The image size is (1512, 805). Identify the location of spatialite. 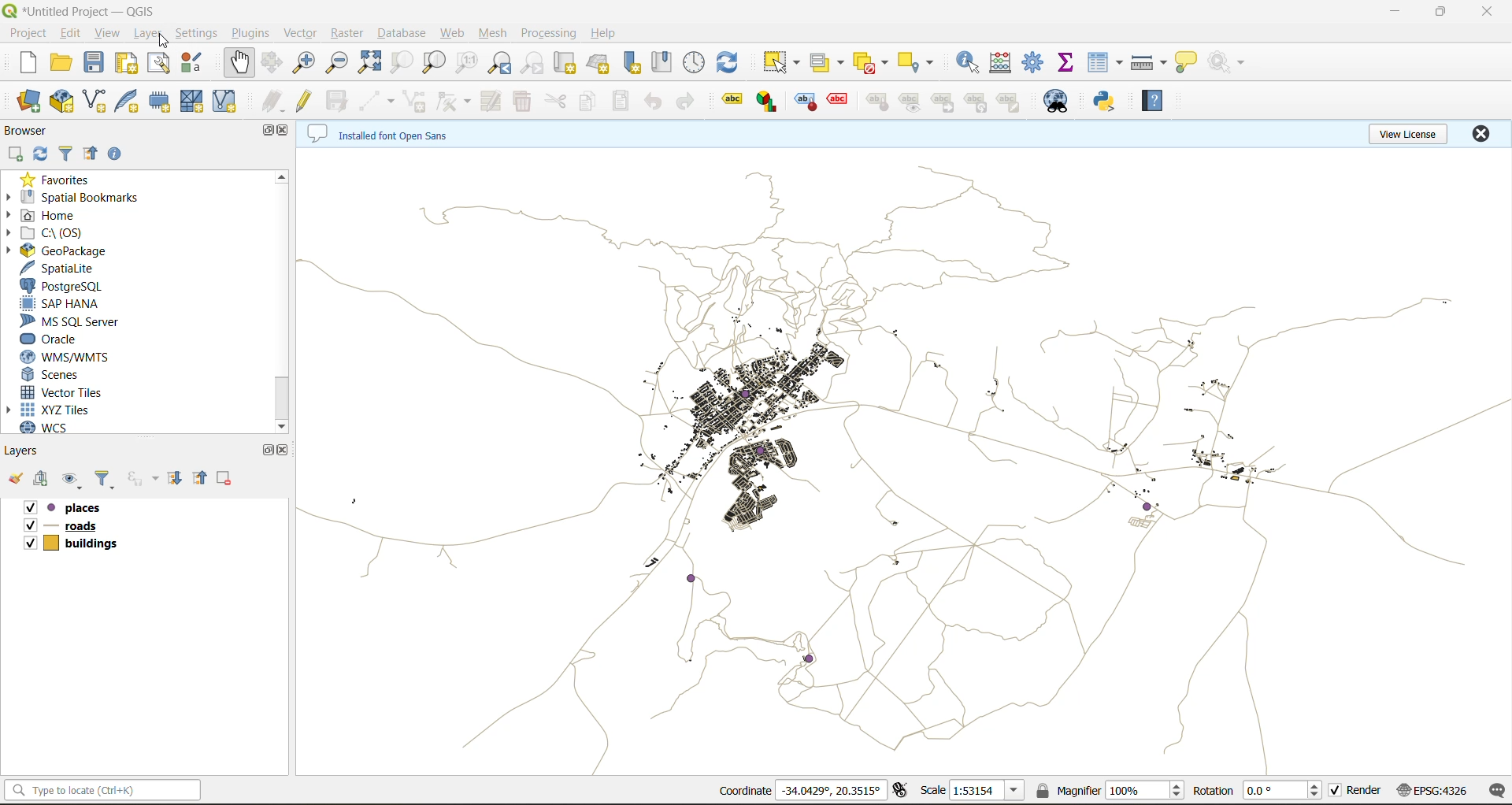
(71, 268).